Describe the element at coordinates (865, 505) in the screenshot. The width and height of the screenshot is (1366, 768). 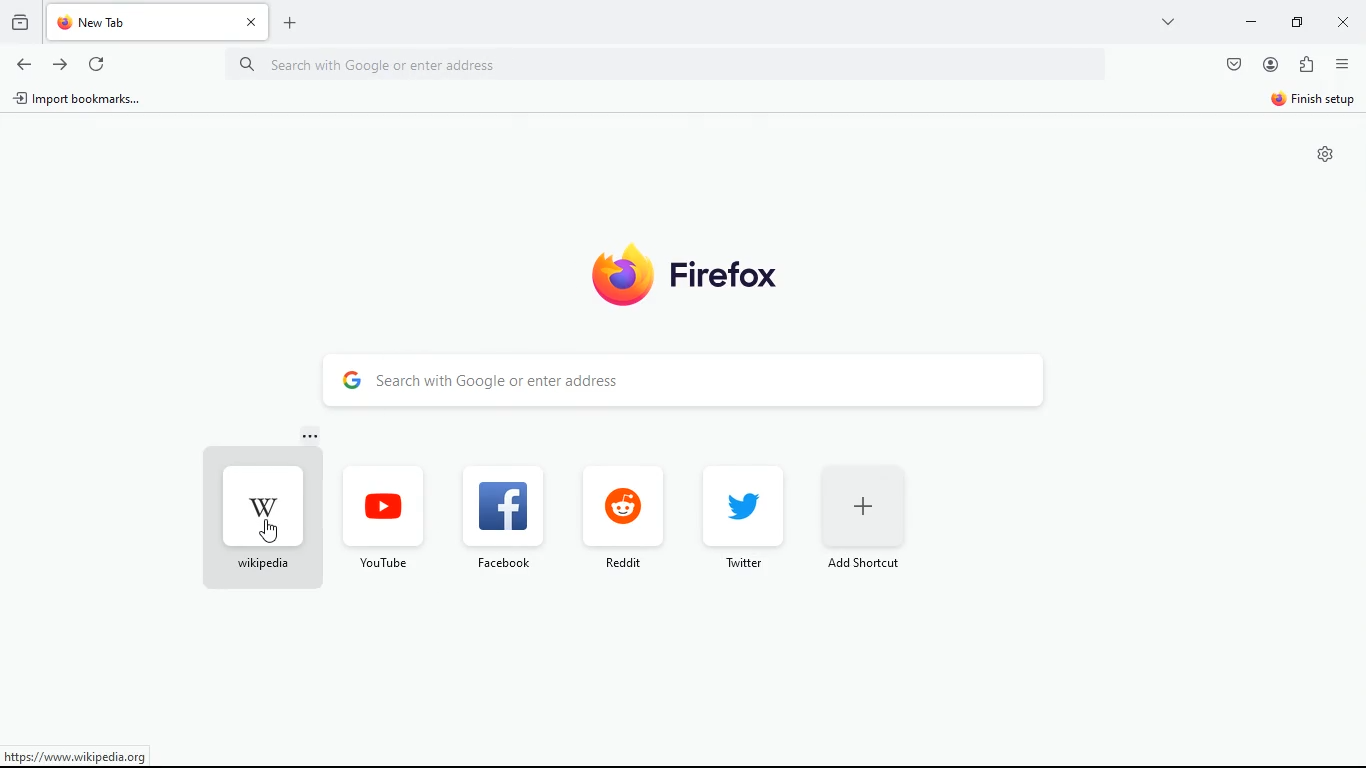
I see `add shortcut` at that location.